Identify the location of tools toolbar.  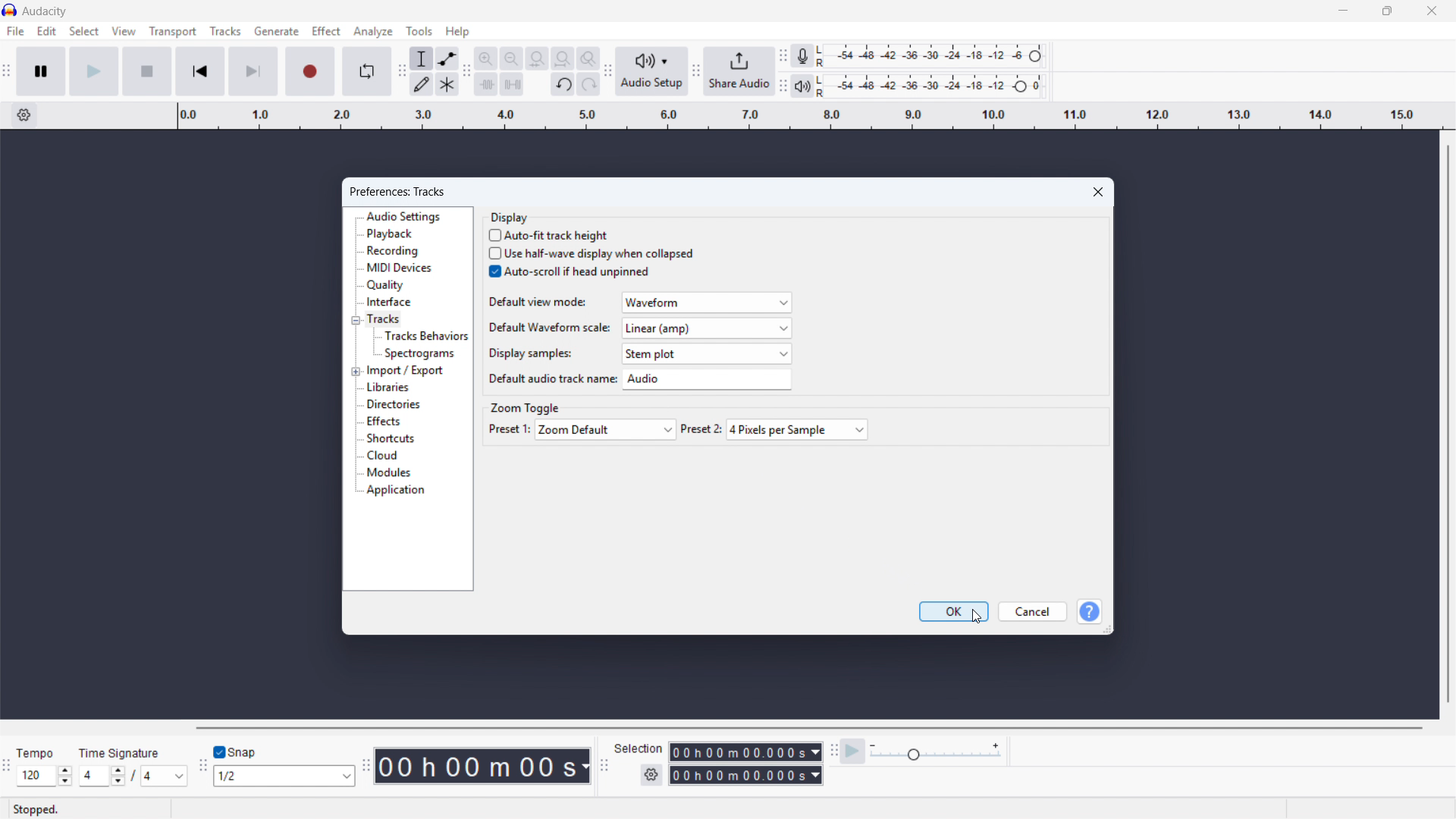
(401, 71).